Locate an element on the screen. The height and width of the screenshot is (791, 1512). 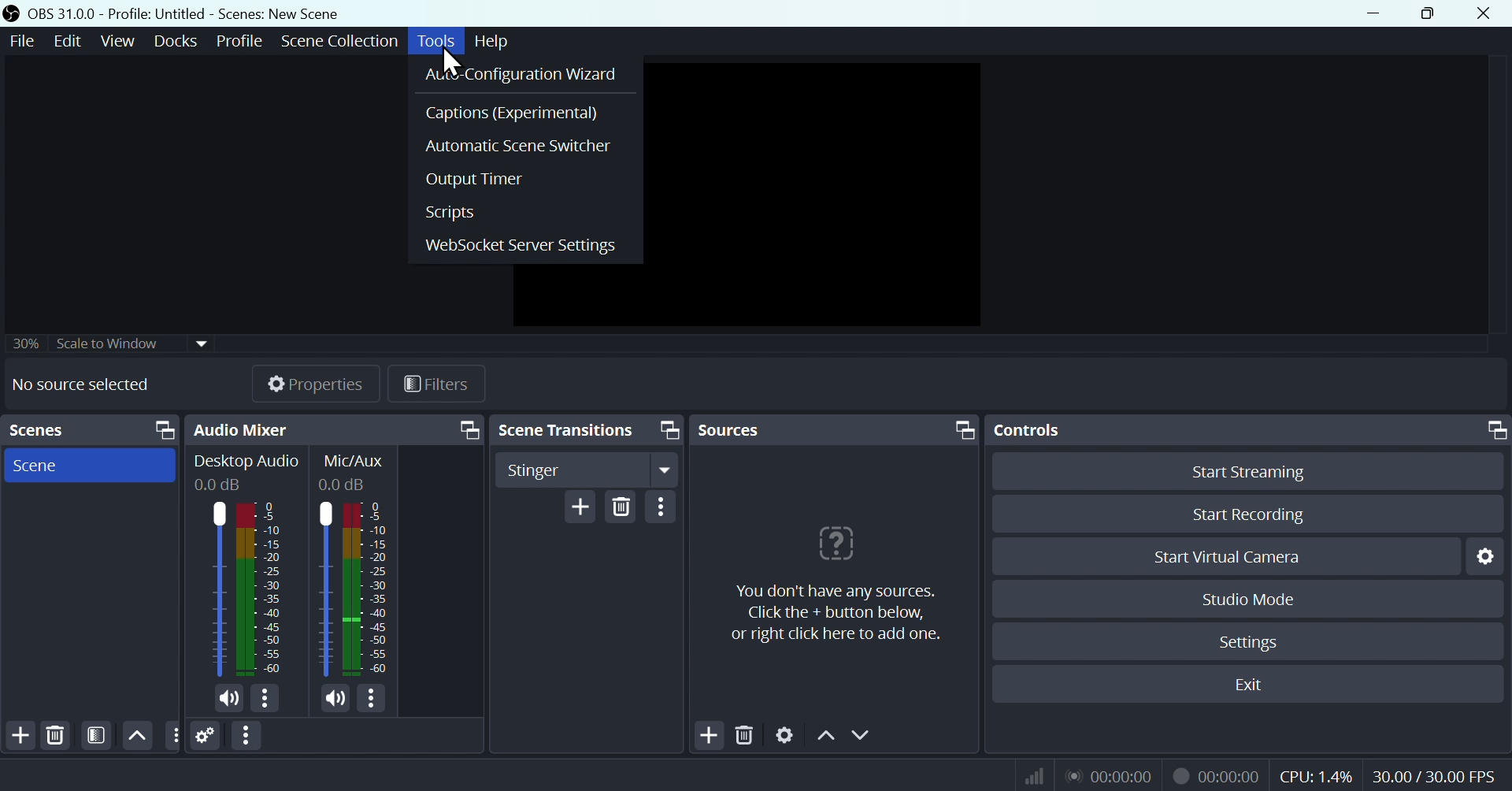
Up is located at coordinates (825, 734).